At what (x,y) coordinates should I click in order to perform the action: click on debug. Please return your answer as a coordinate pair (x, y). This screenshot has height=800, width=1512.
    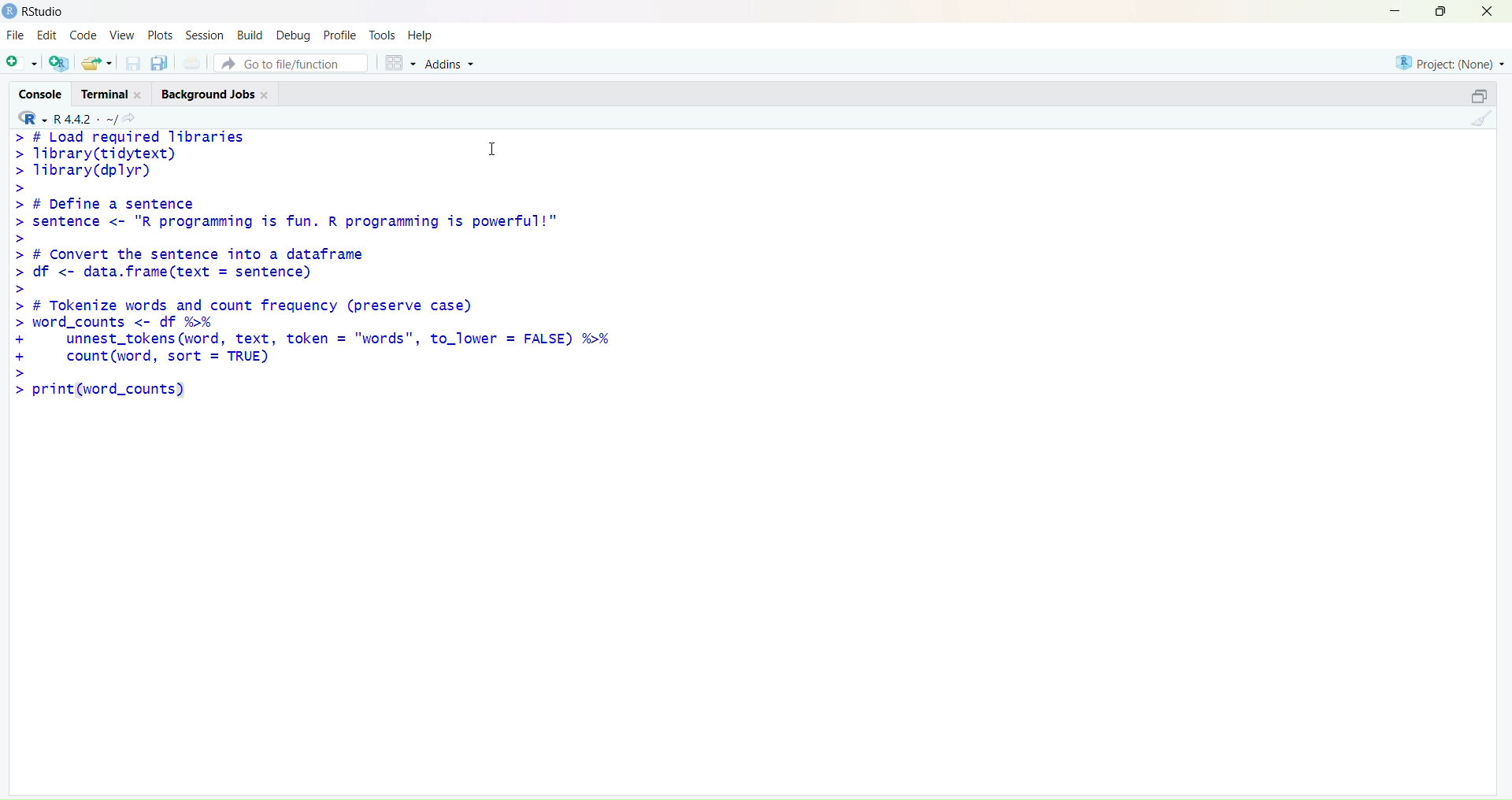
    Looking at the image, I should click on (295, 35).